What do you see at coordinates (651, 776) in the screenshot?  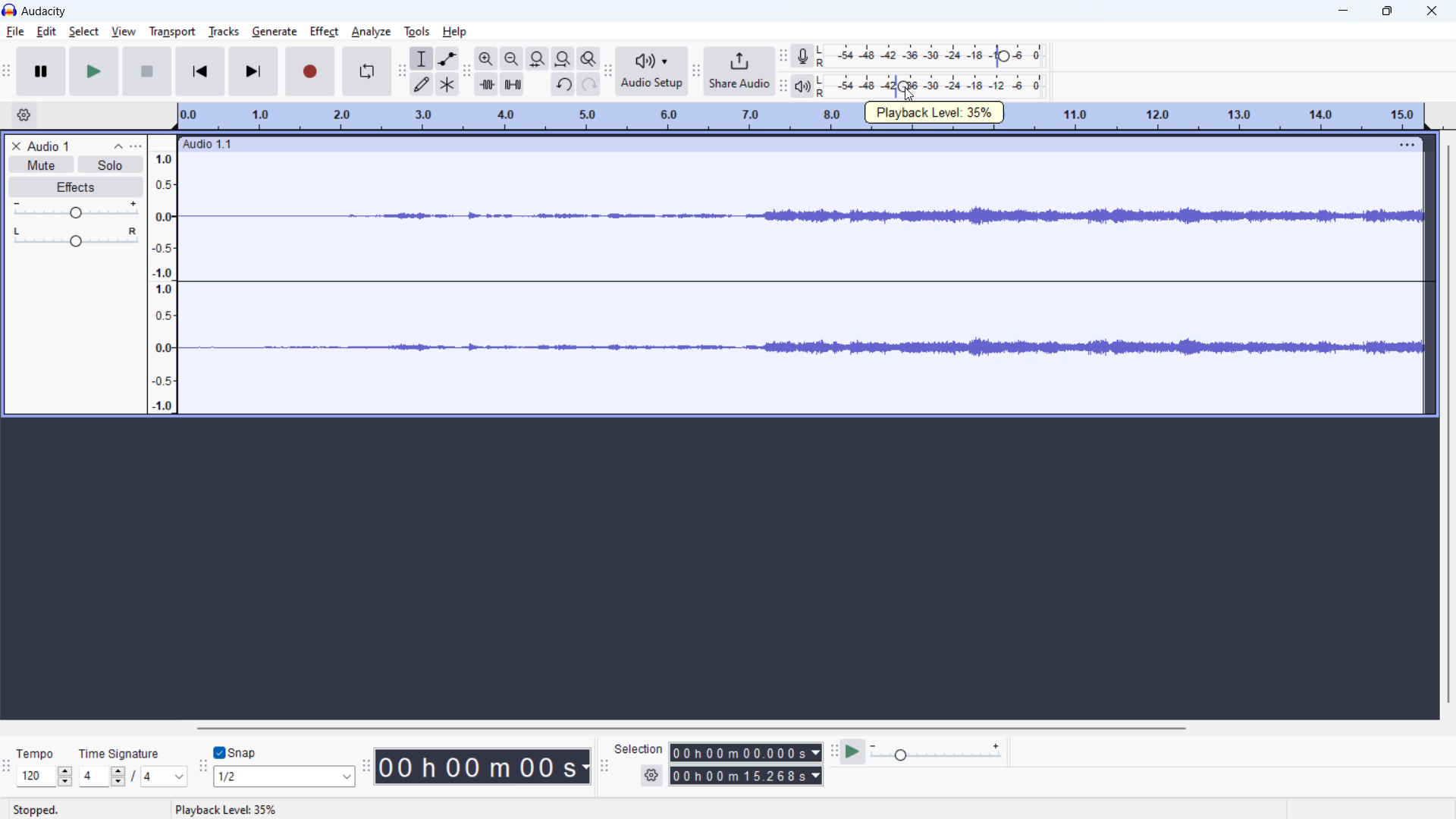 I see `settings` at bounding box center [651, 776].